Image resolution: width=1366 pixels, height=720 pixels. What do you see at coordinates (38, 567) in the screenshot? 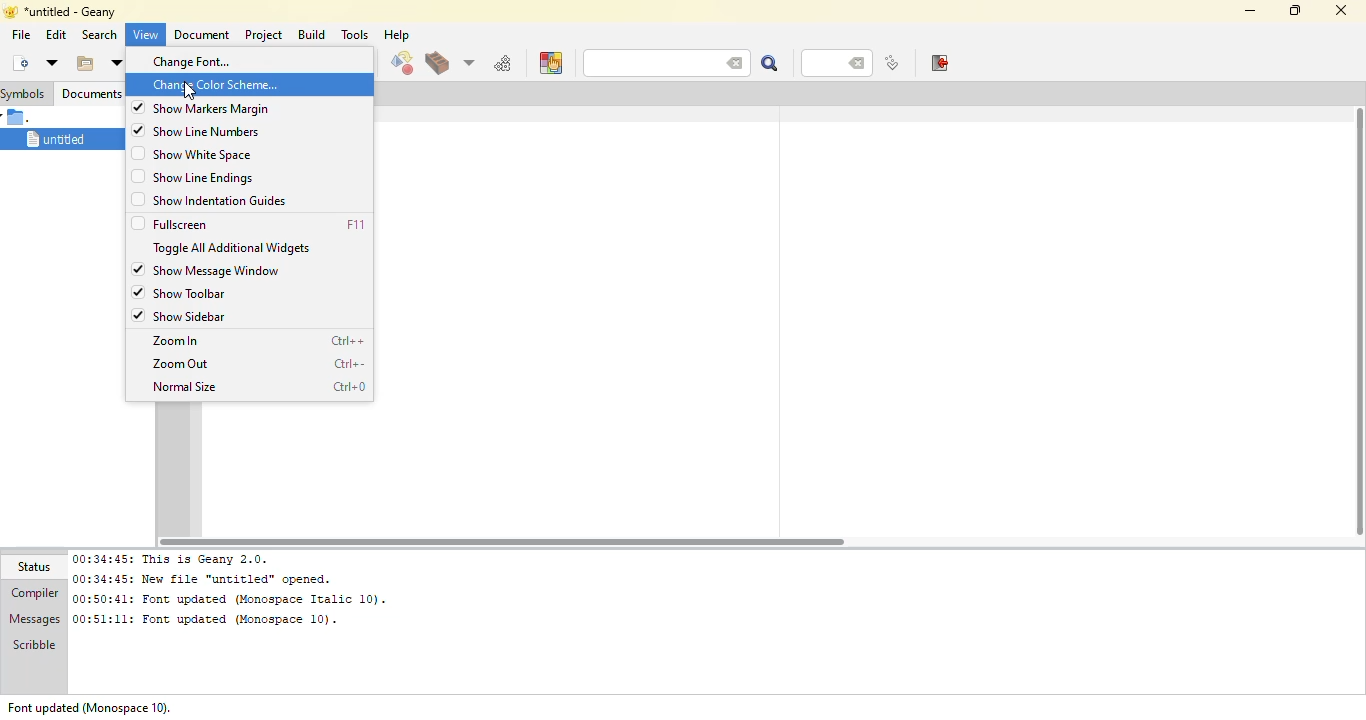
I see `status` at bounding box center [38, 567].